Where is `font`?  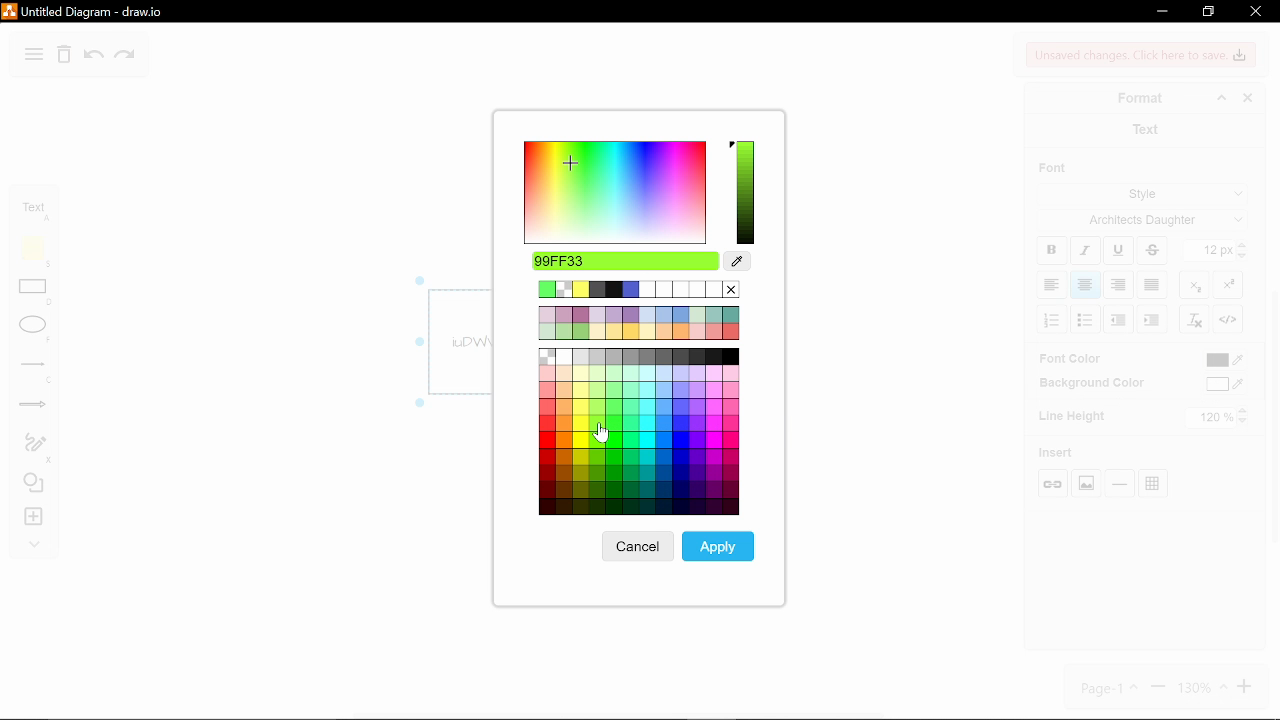
font is located at coordinates (1056, 167).